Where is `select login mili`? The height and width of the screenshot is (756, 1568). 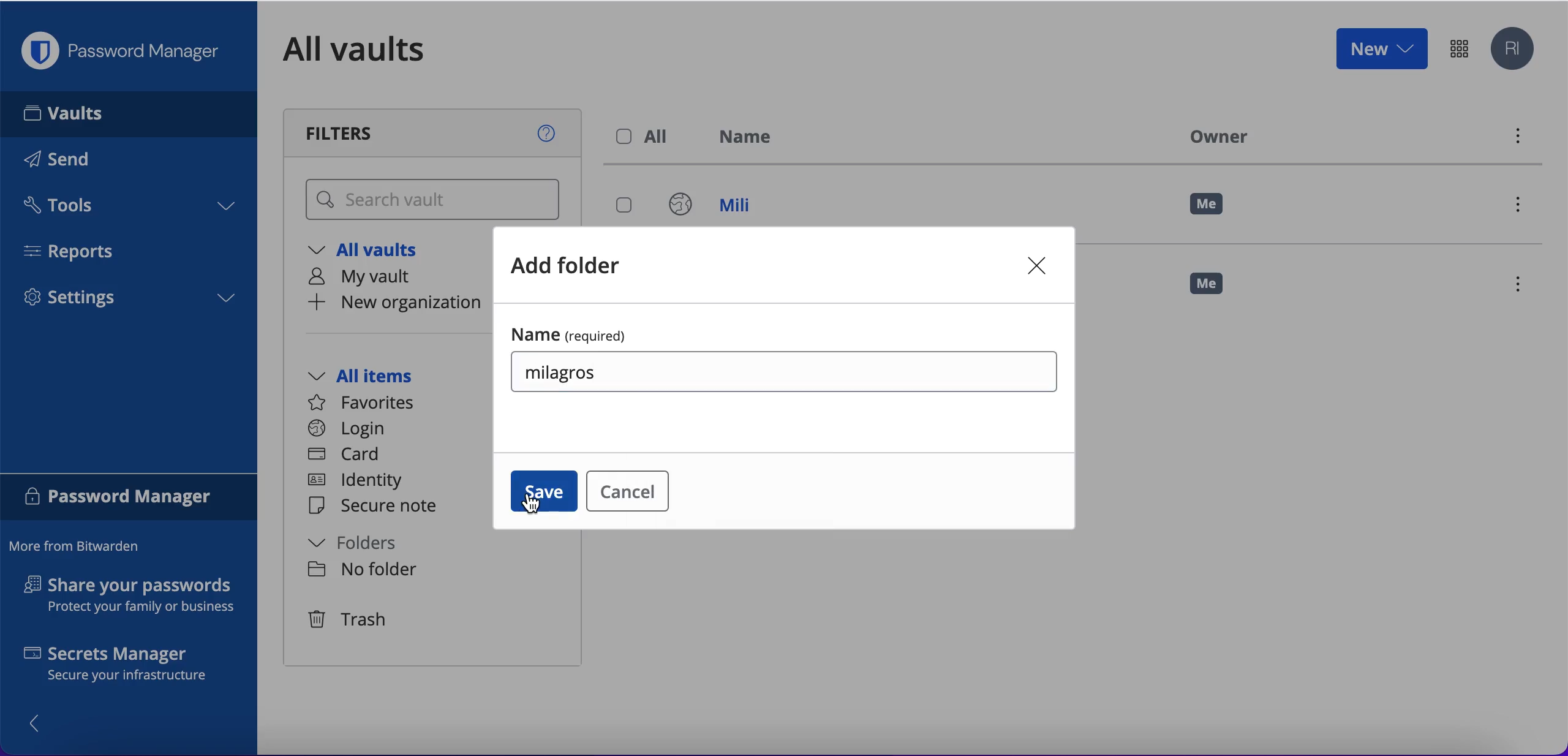
select login mili is located at coordinates (625, 206).